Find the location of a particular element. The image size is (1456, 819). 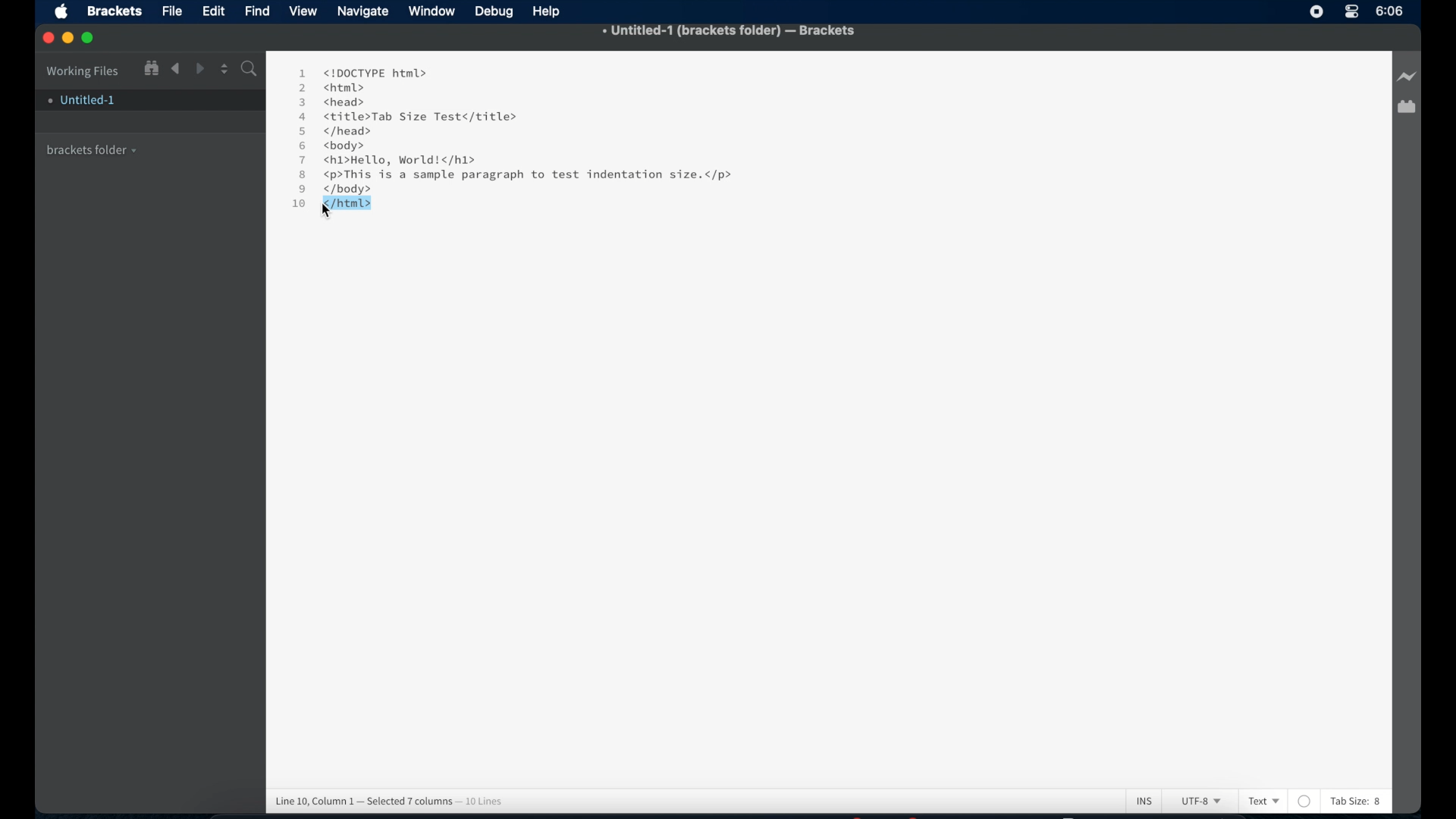

View is located at coordinates (306, 11).